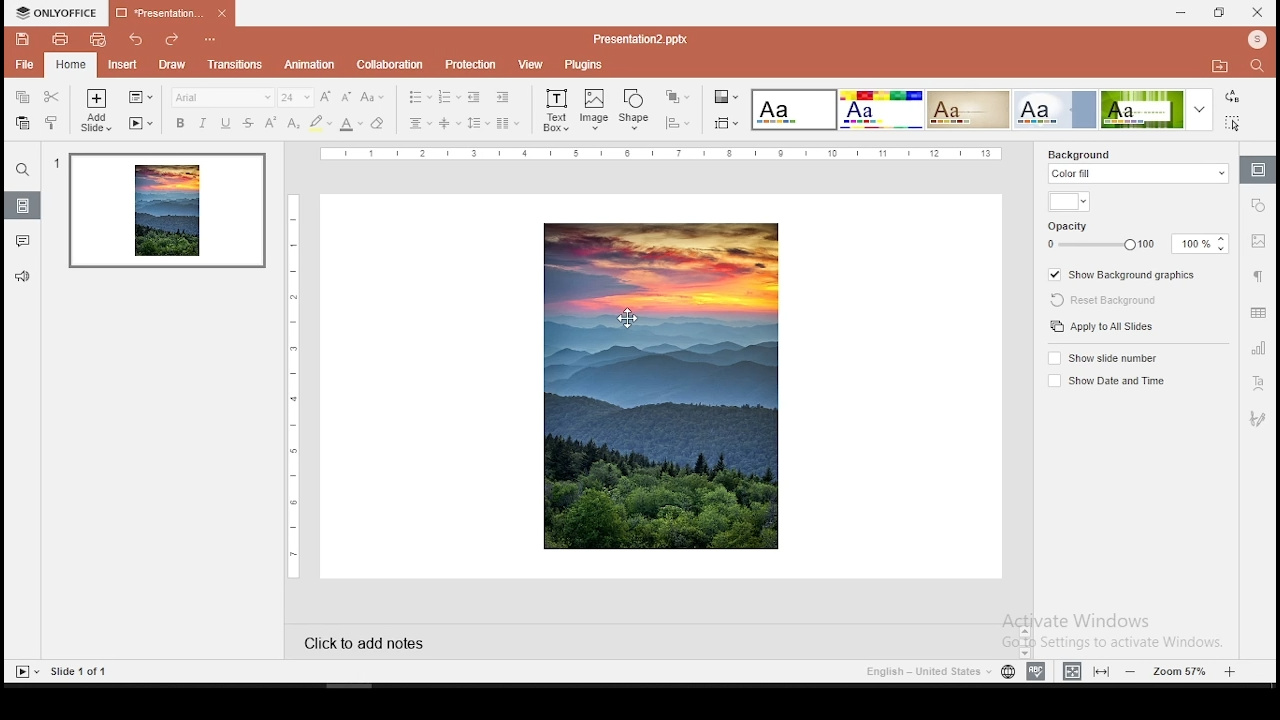  Describe the element at coordinates (880, 109) in the screenshot. I see `theme ` at that location.